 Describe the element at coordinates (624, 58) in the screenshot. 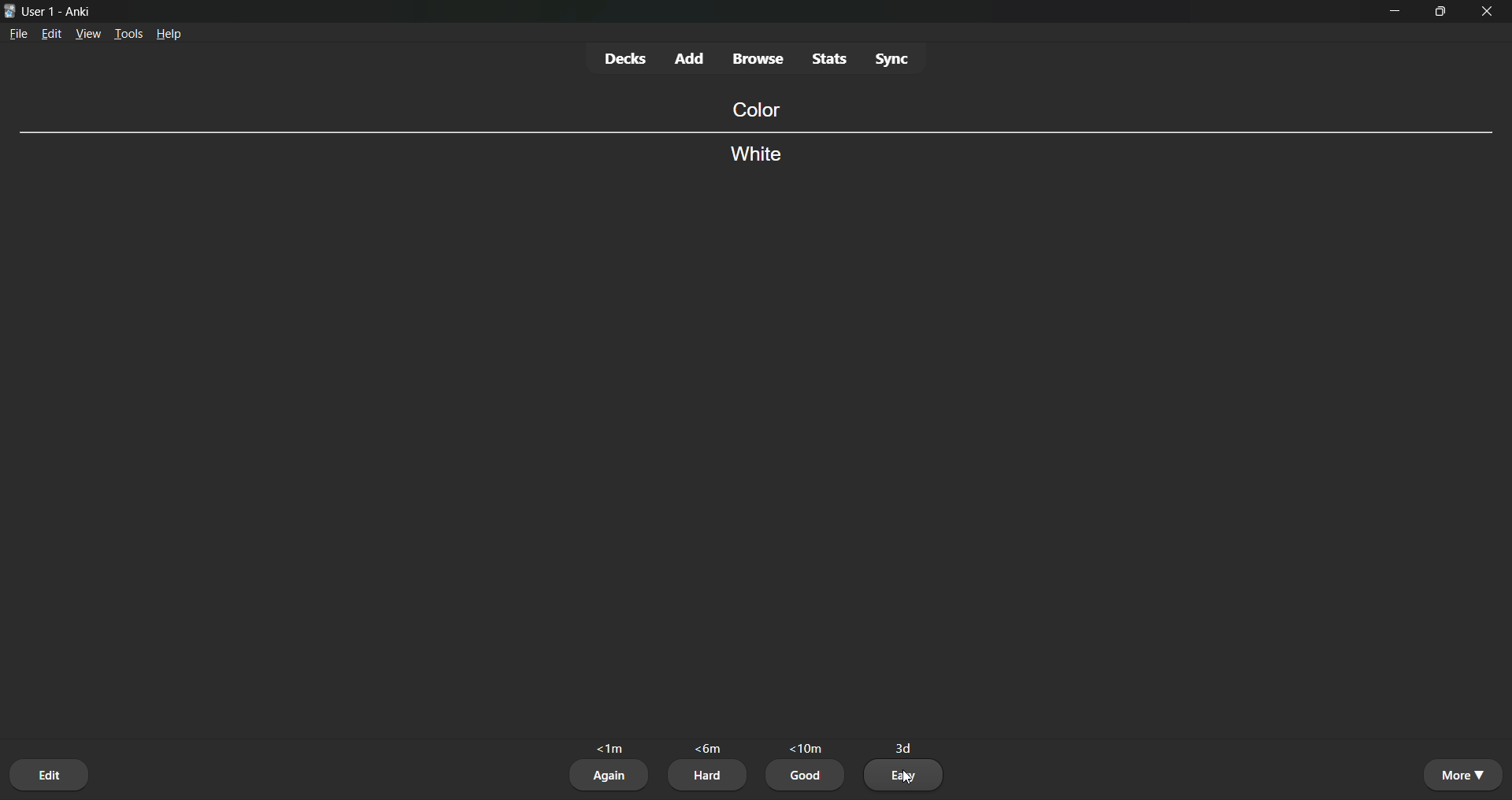

I see `decks` at that location.